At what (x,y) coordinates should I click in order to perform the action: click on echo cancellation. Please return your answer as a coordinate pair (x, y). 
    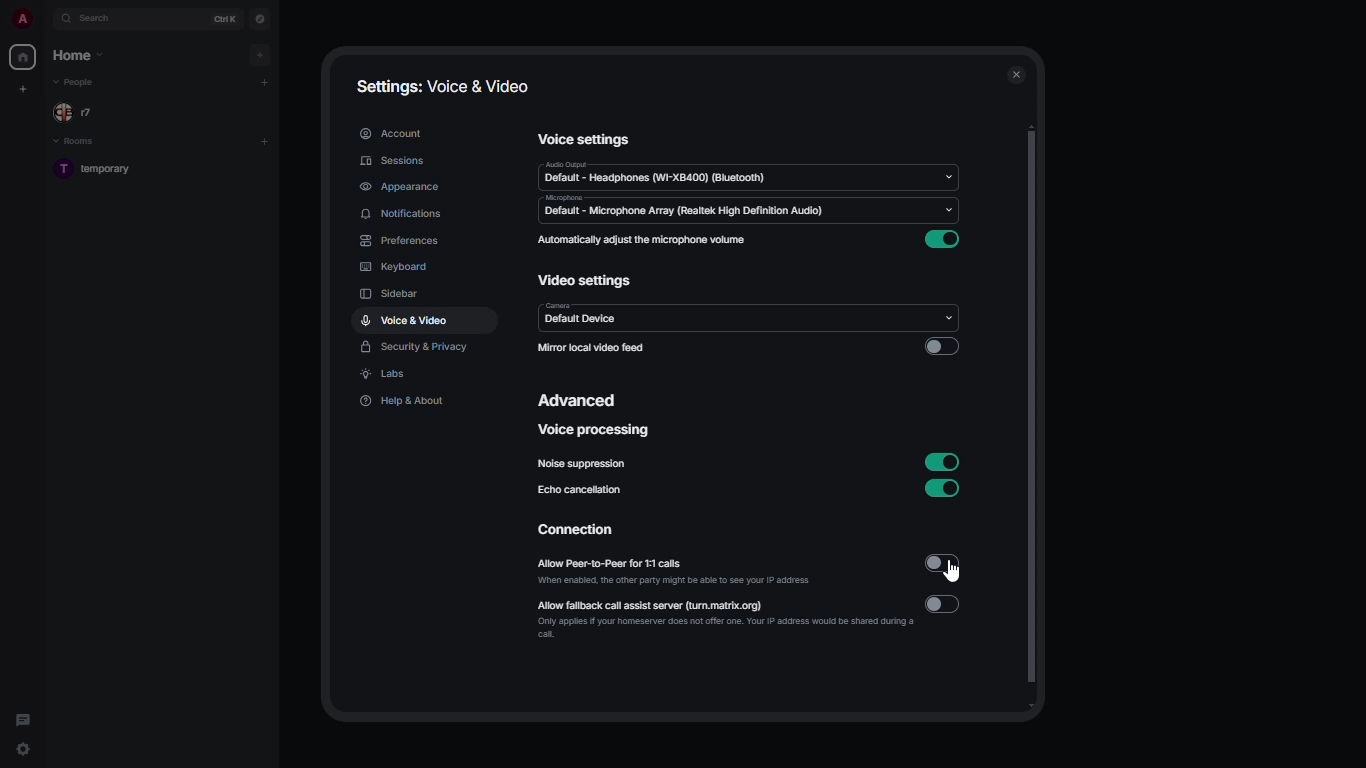
    Looking at the image, I should click on (580, 490).